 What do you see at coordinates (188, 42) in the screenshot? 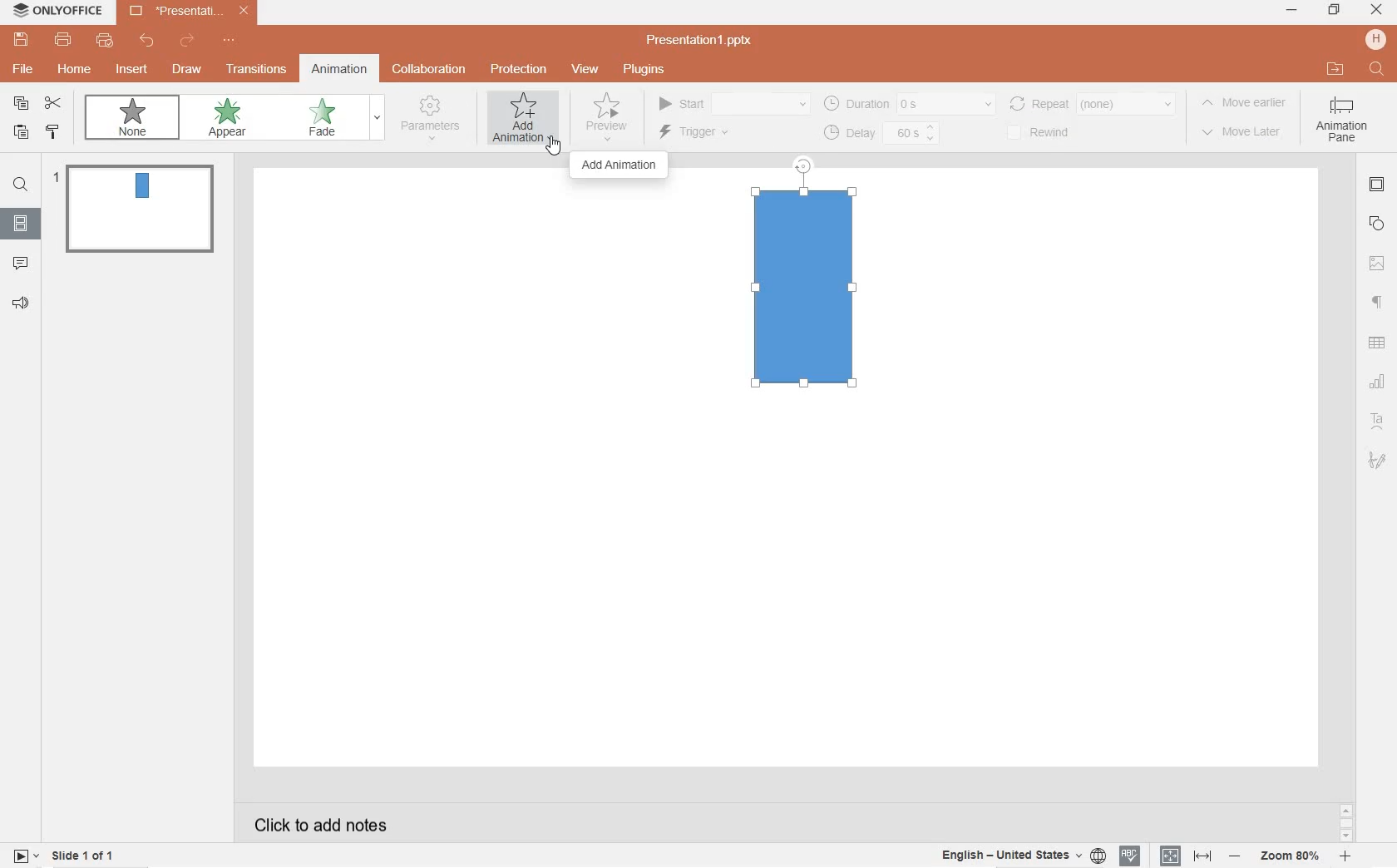
I see `redo` at bounding box center [188, 42].